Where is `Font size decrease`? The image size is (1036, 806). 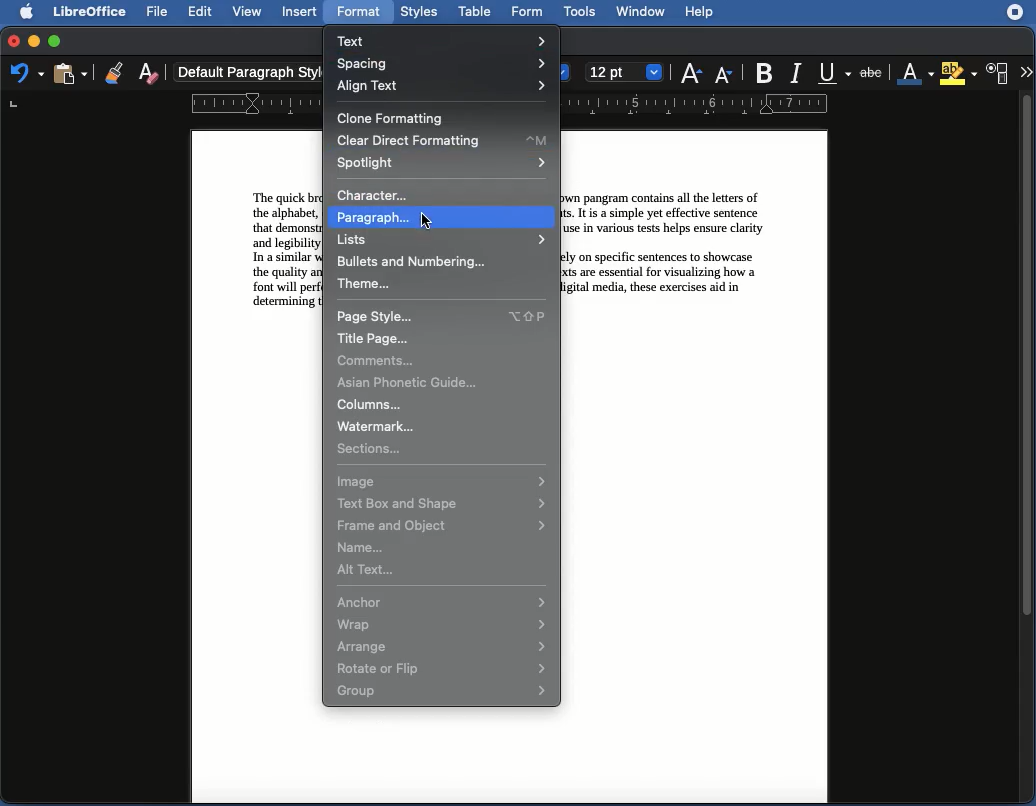 Font size decrease is located at coordinates (726, 75).